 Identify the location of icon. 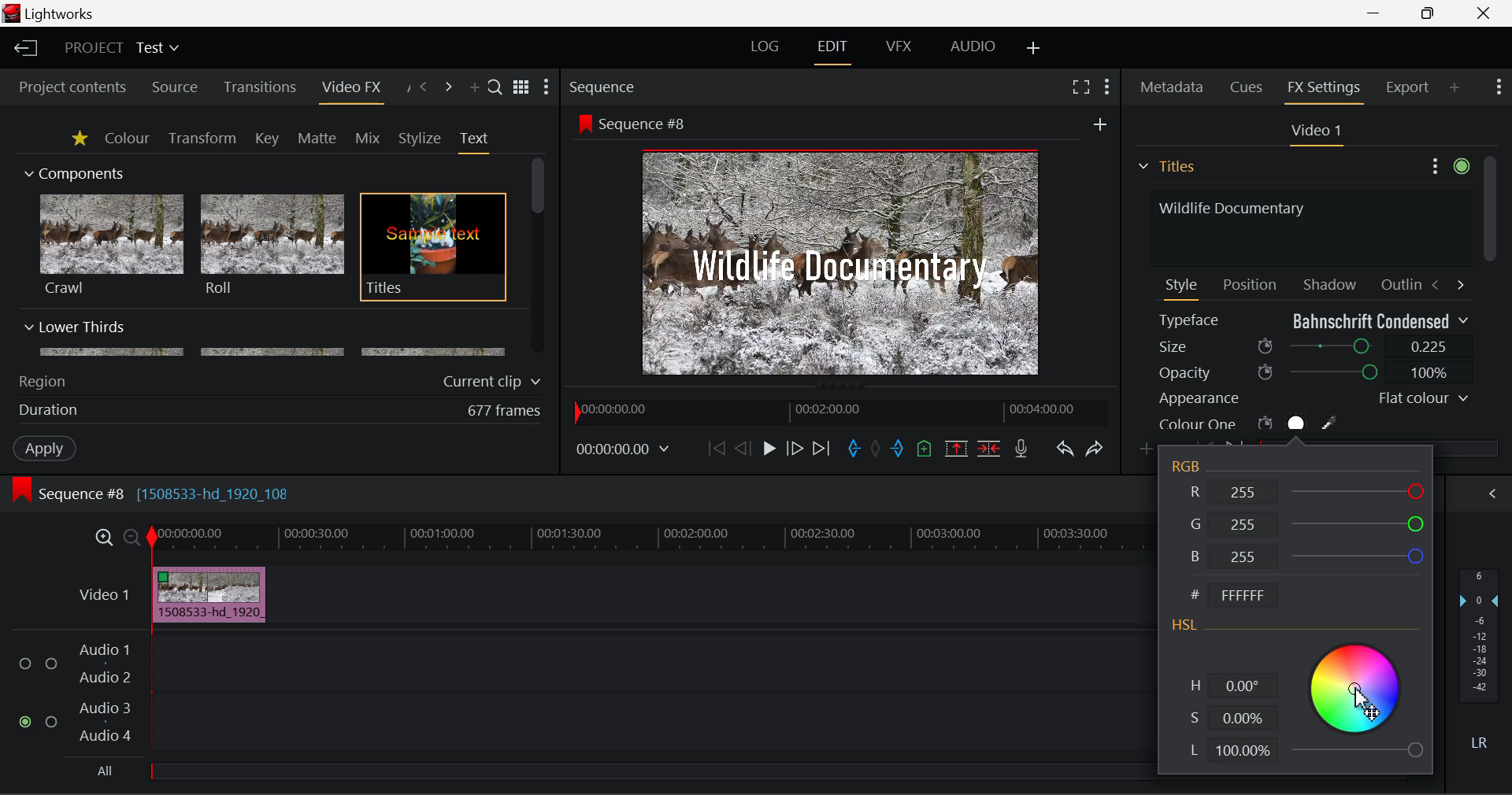
(584, 123).